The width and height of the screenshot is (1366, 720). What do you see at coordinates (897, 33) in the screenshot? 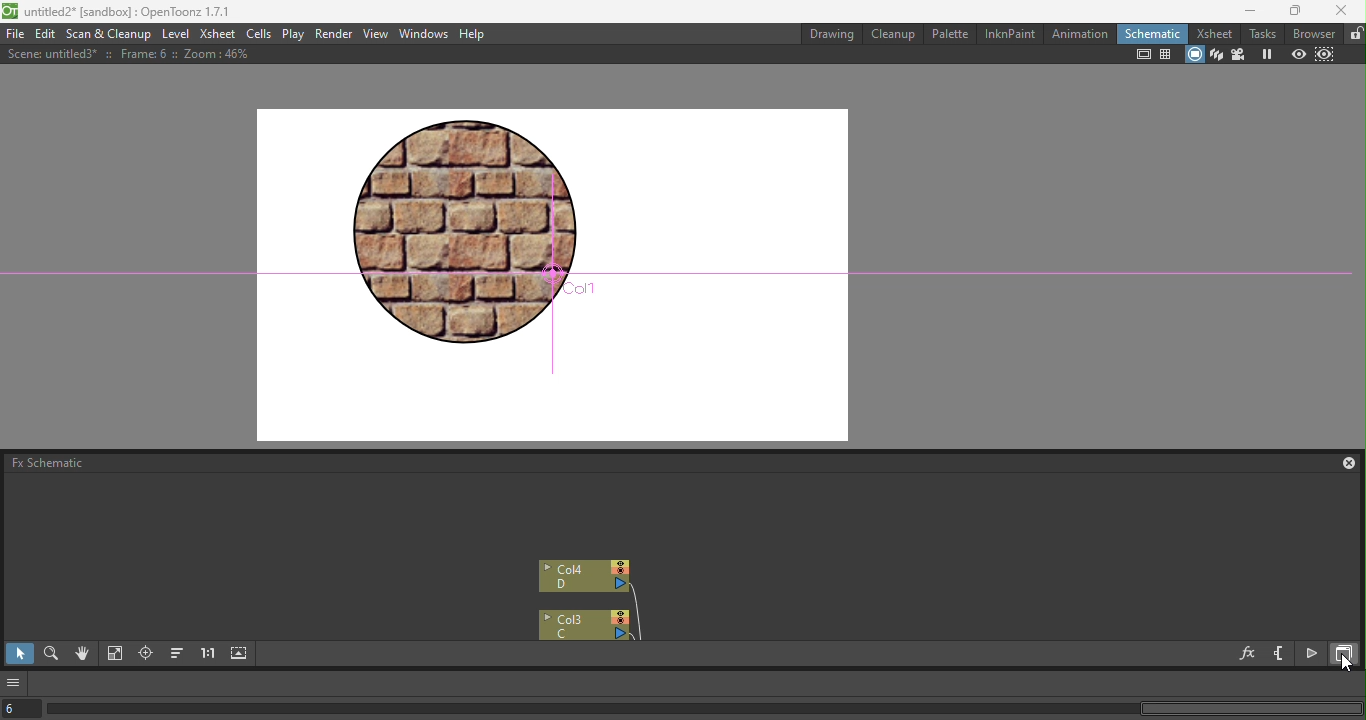
I see `Cleanup` at bounding box center [897, 33].